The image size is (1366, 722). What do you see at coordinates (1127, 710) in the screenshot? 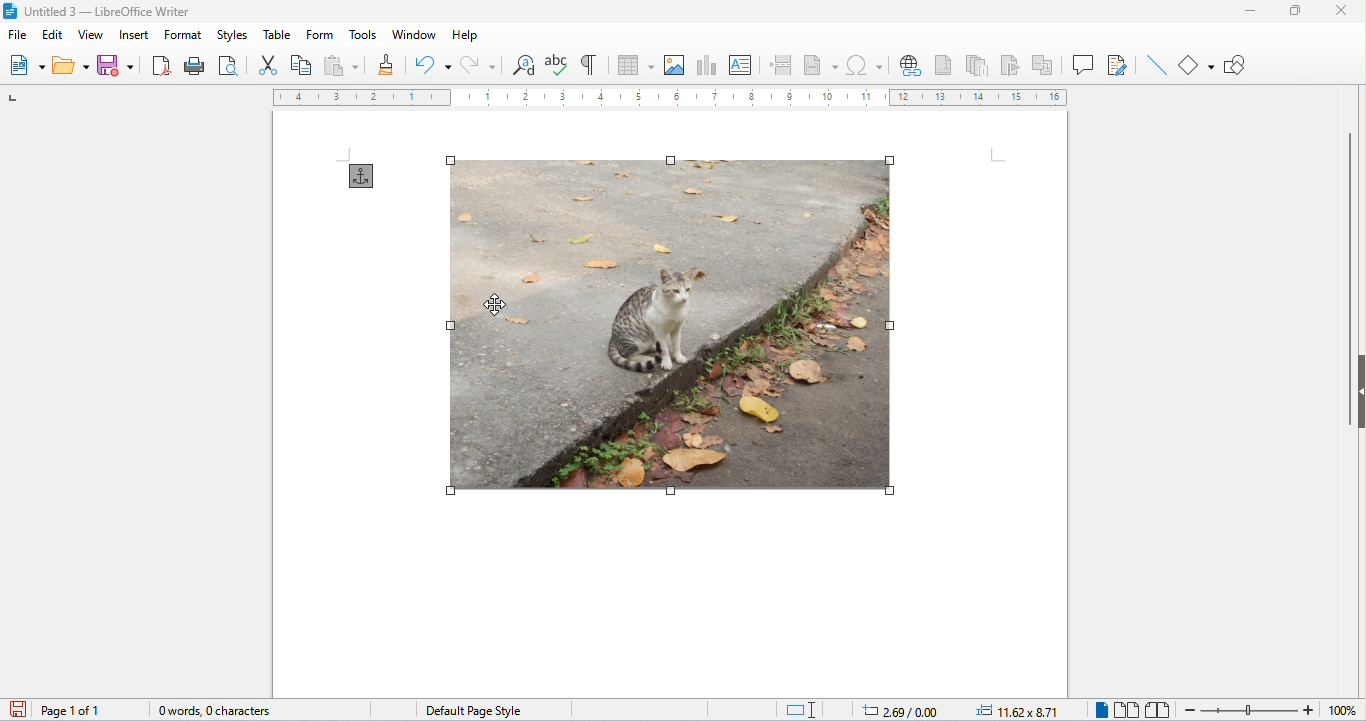
I see `multi view` at bounding box center [1127, 710].